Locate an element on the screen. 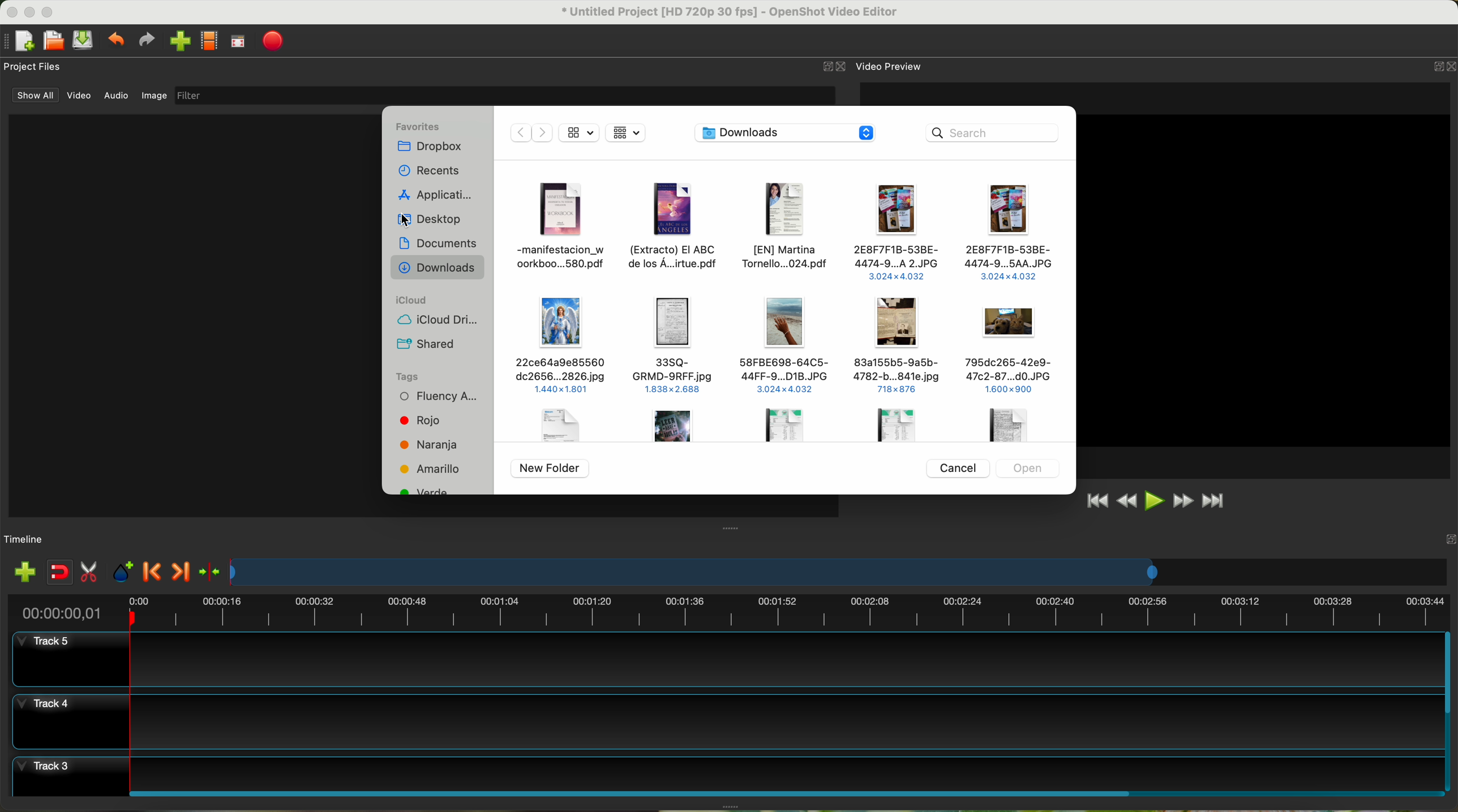  shared is located at coordinates (426, 345).